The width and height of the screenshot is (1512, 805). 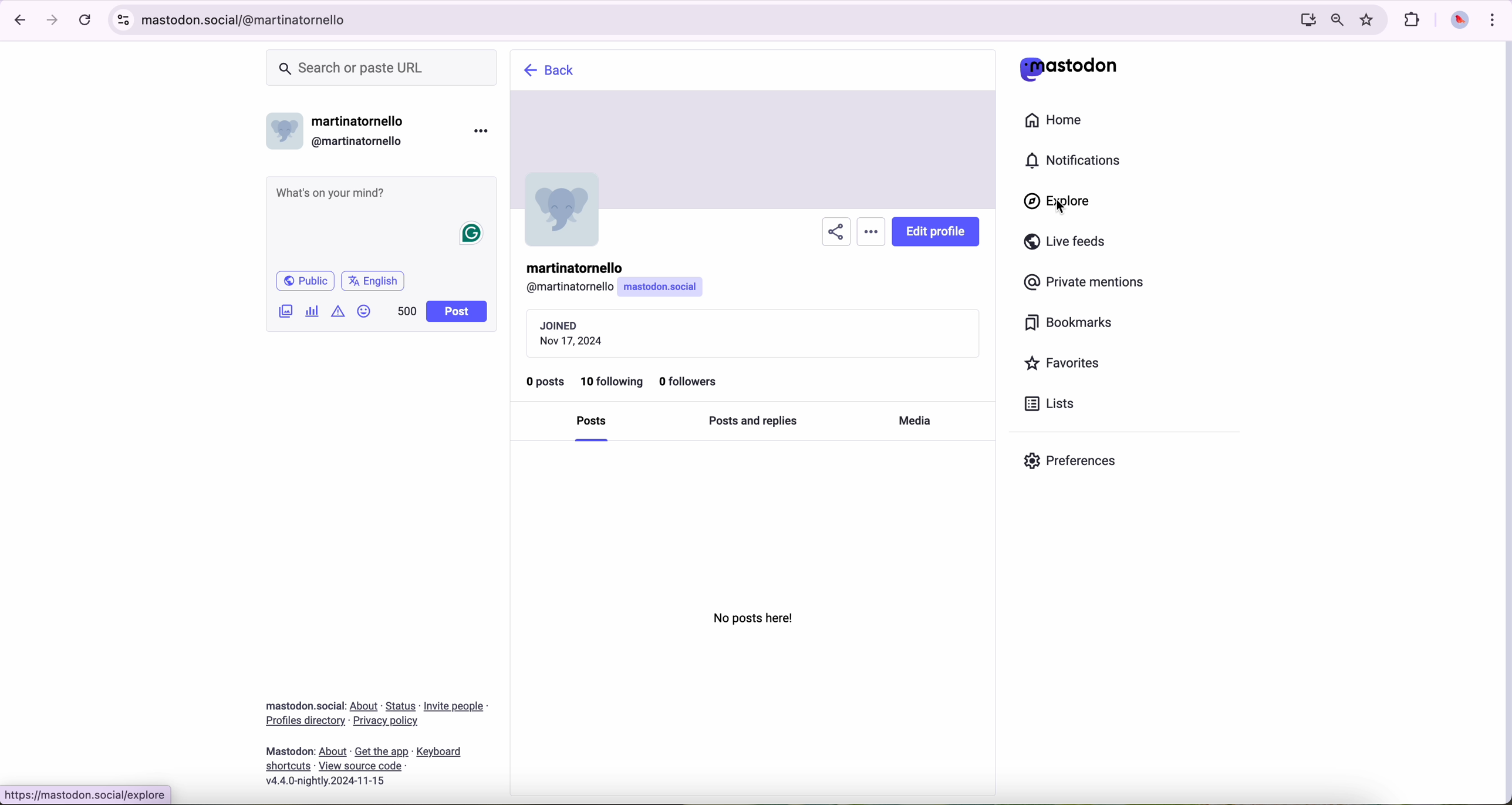 What do you see at coordinates (387, 720) in the screenshot?
I see `link` at bounding box center [387, 720].